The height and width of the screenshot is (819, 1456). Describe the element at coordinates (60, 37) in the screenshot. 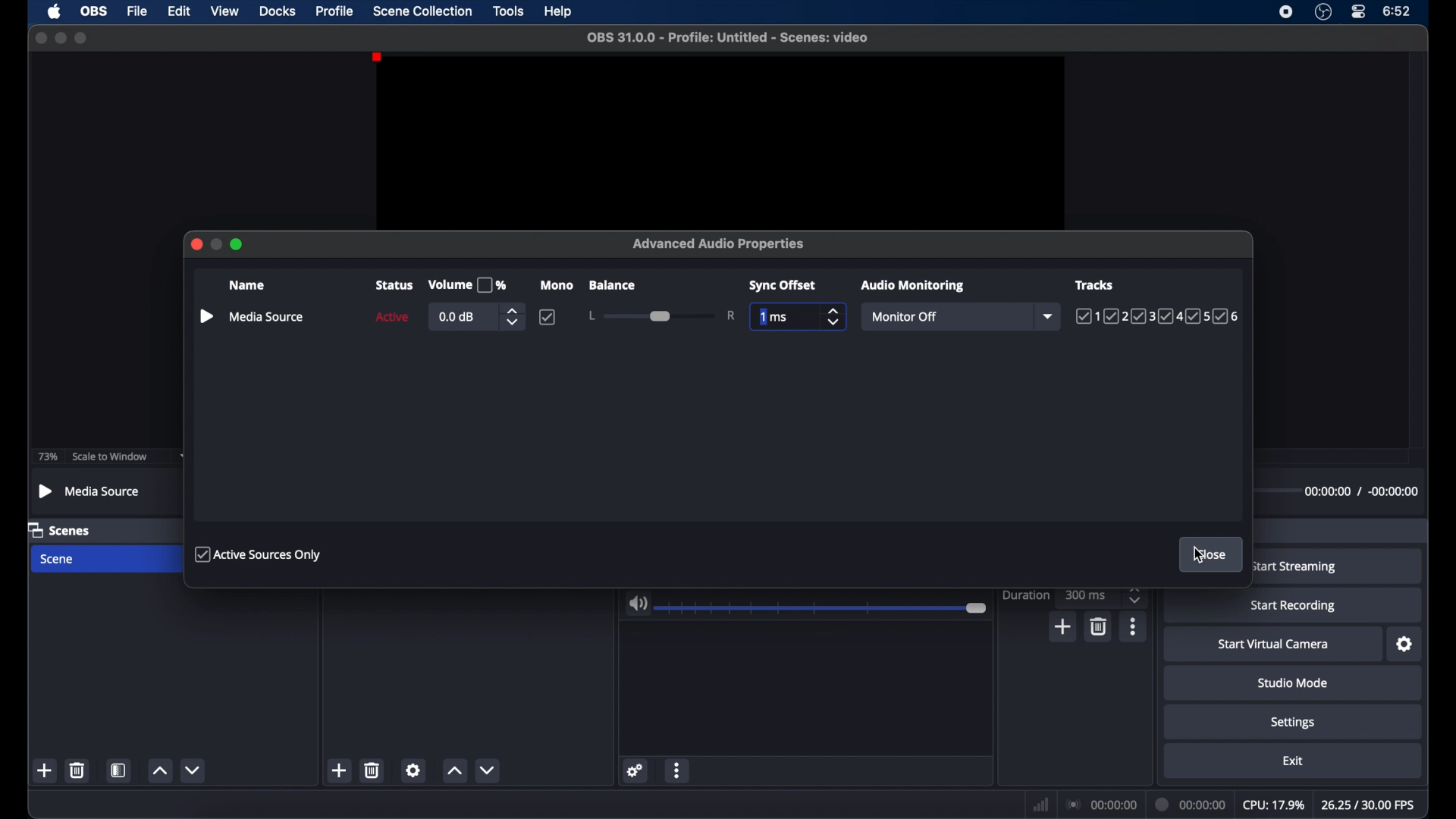

I see `minimize` at that location.